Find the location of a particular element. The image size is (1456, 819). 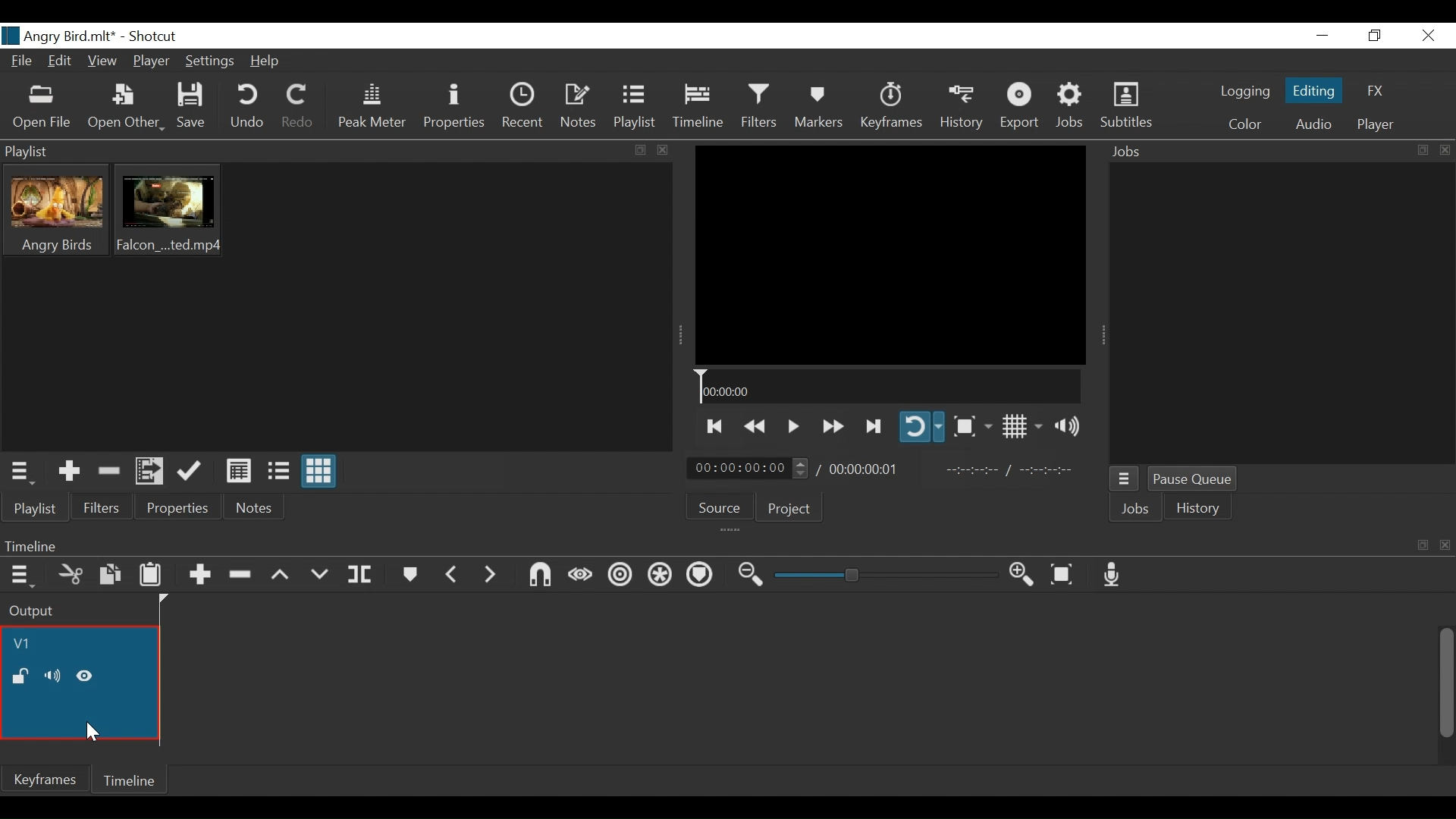

Filters is located at coordinates (104, 509).